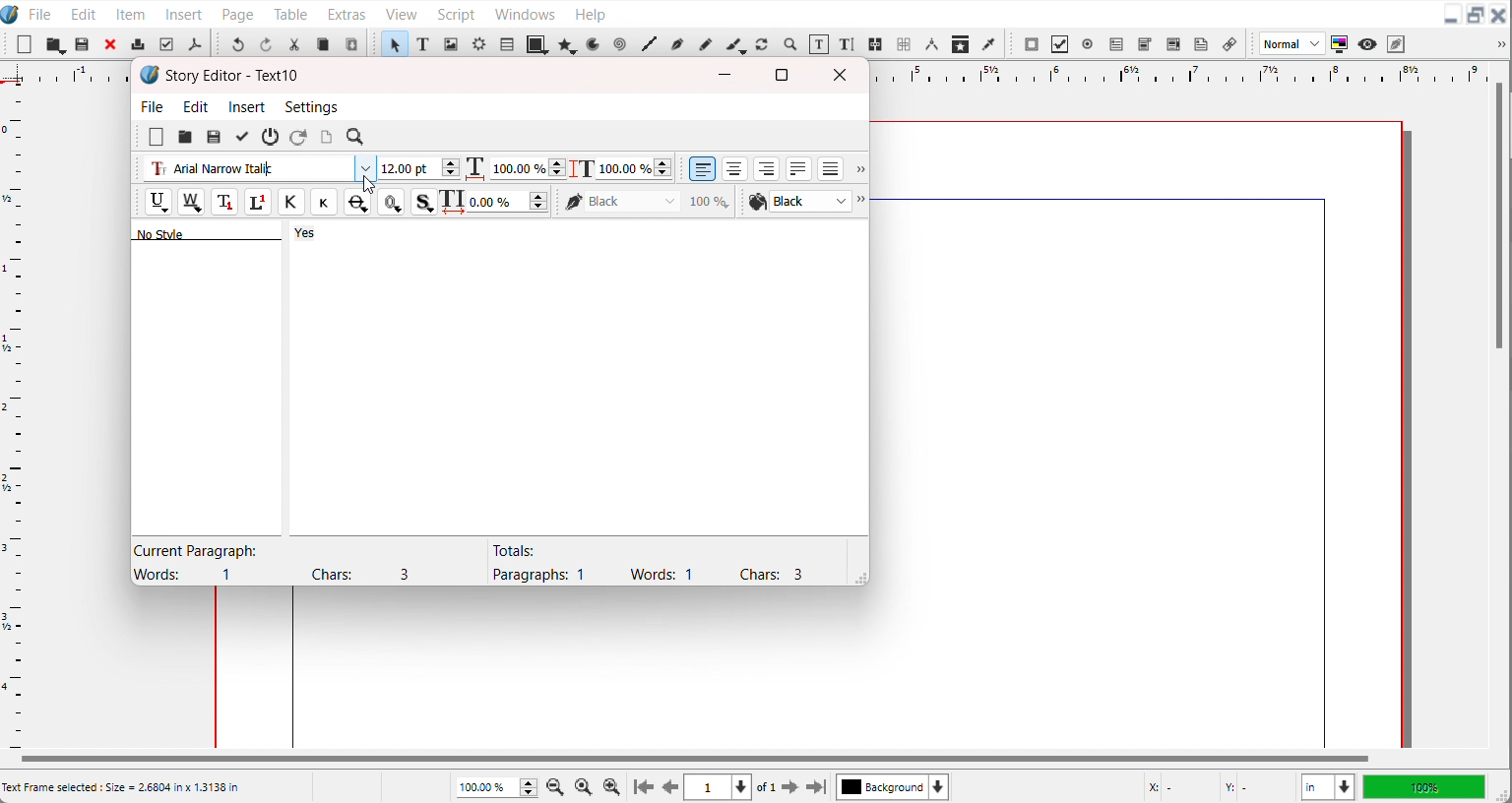 The width and height of the screenshot is (1512, 803). What do you see at coordinates (525, 12) in the screenshot?
I see `Windows` at bounding box center [525, 12].